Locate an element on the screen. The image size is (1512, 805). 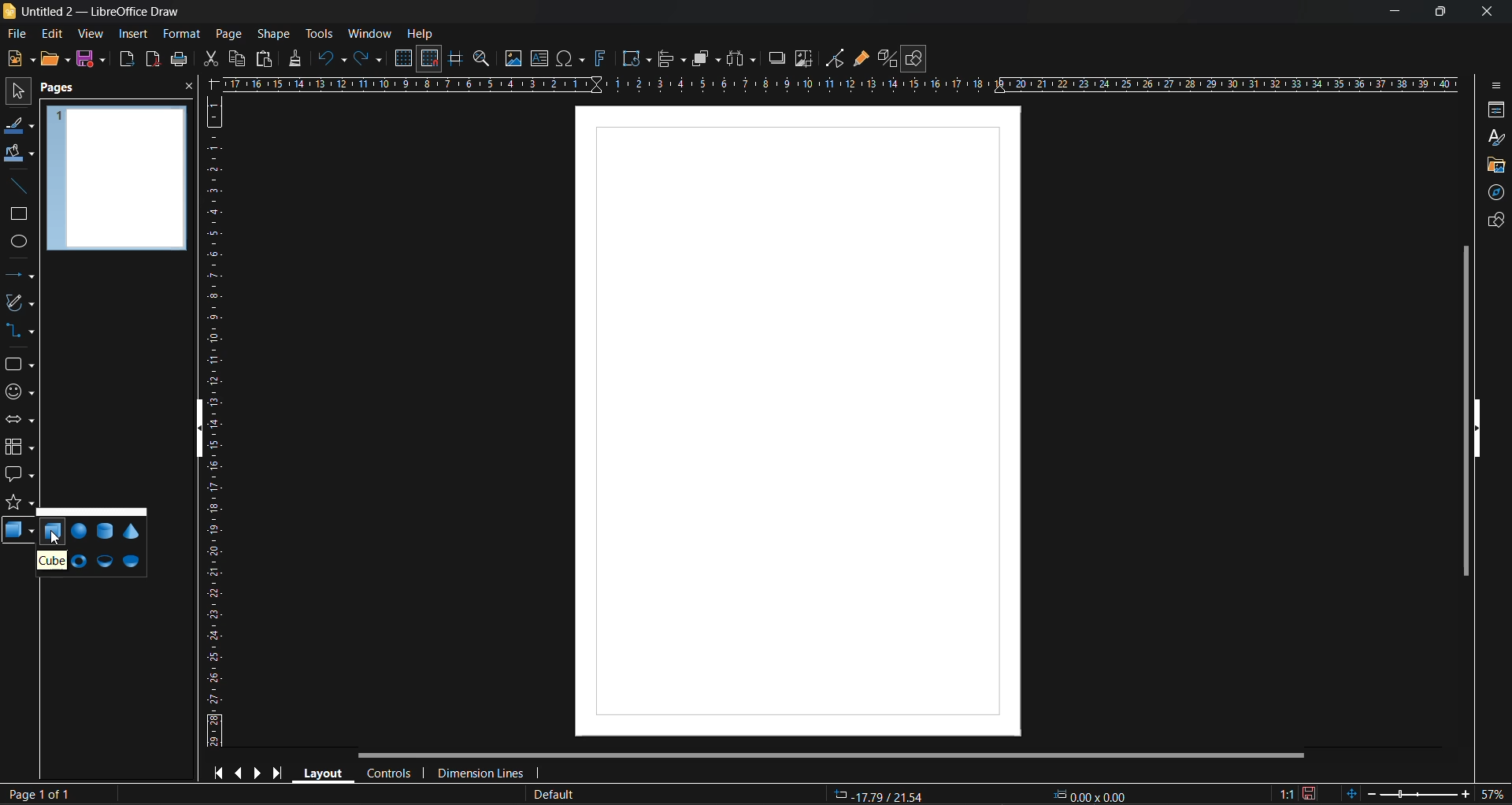
show draw functions is located at coordinates (917, 59).